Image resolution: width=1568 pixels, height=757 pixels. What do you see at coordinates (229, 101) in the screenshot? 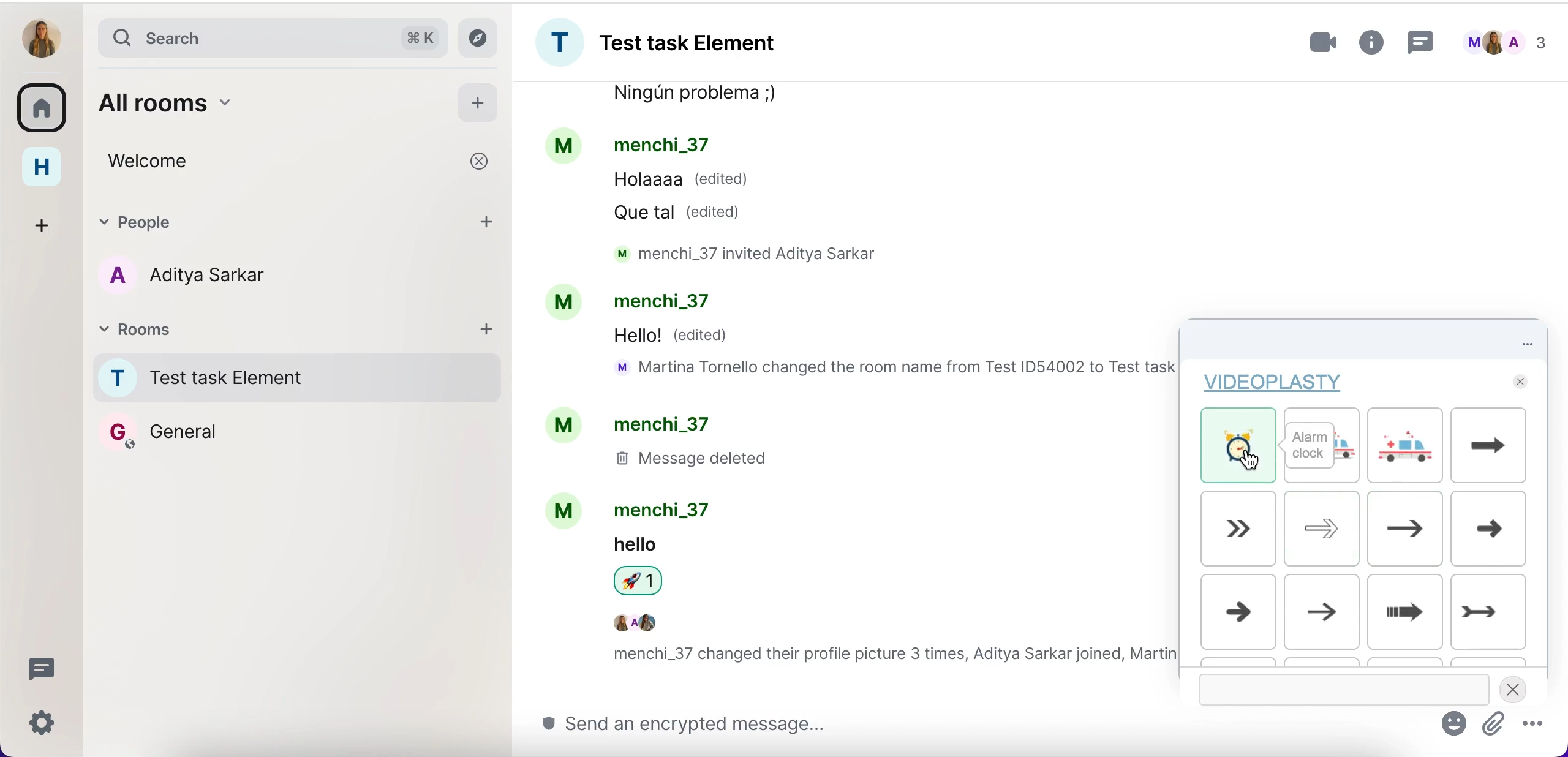
I see `all rooms` at bounding box center [229, 101].